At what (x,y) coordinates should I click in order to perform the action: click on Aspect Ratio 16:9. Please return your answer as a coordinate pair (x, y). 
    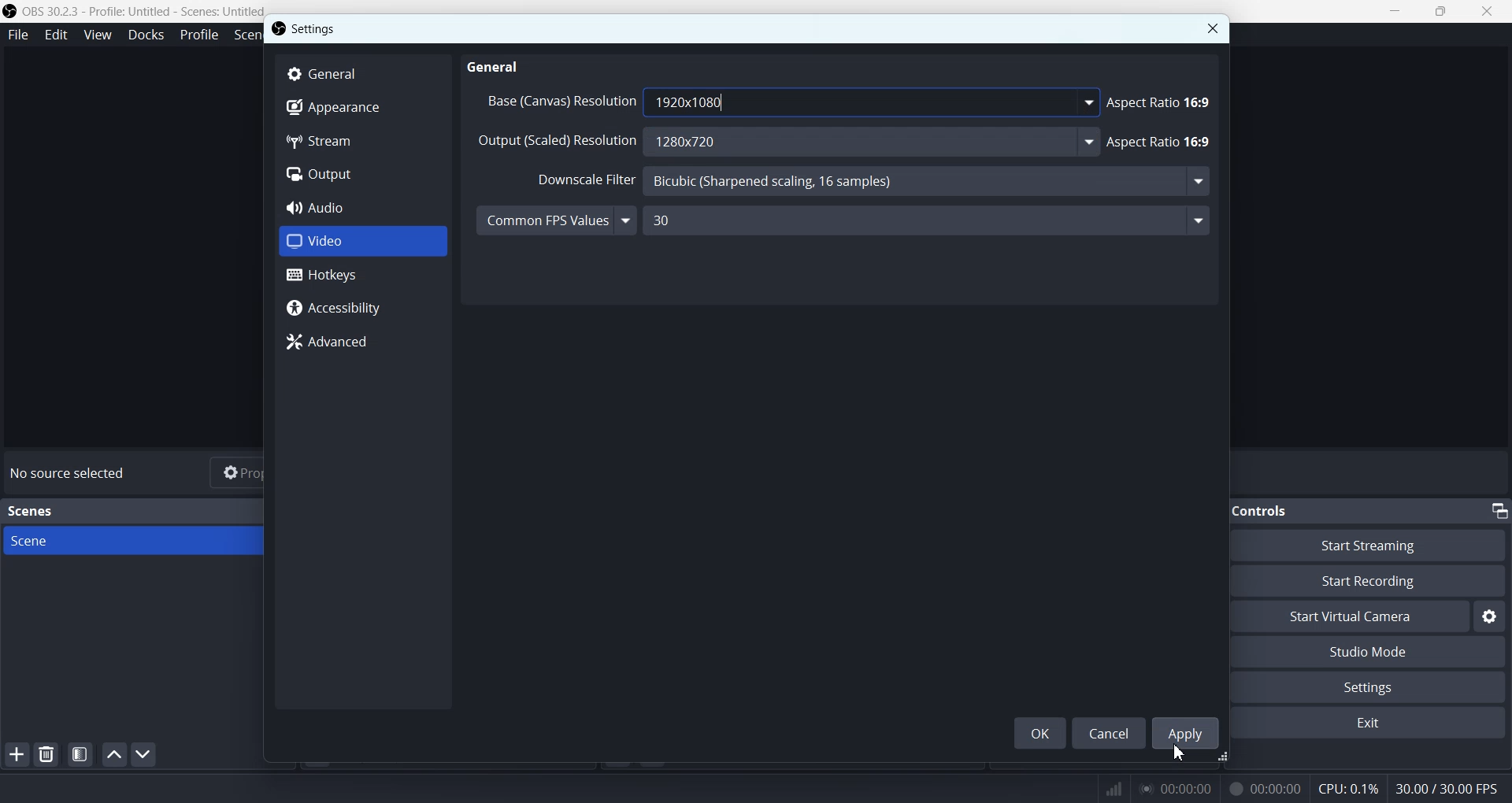
    Looking at the image, I should click on (1163, 142).